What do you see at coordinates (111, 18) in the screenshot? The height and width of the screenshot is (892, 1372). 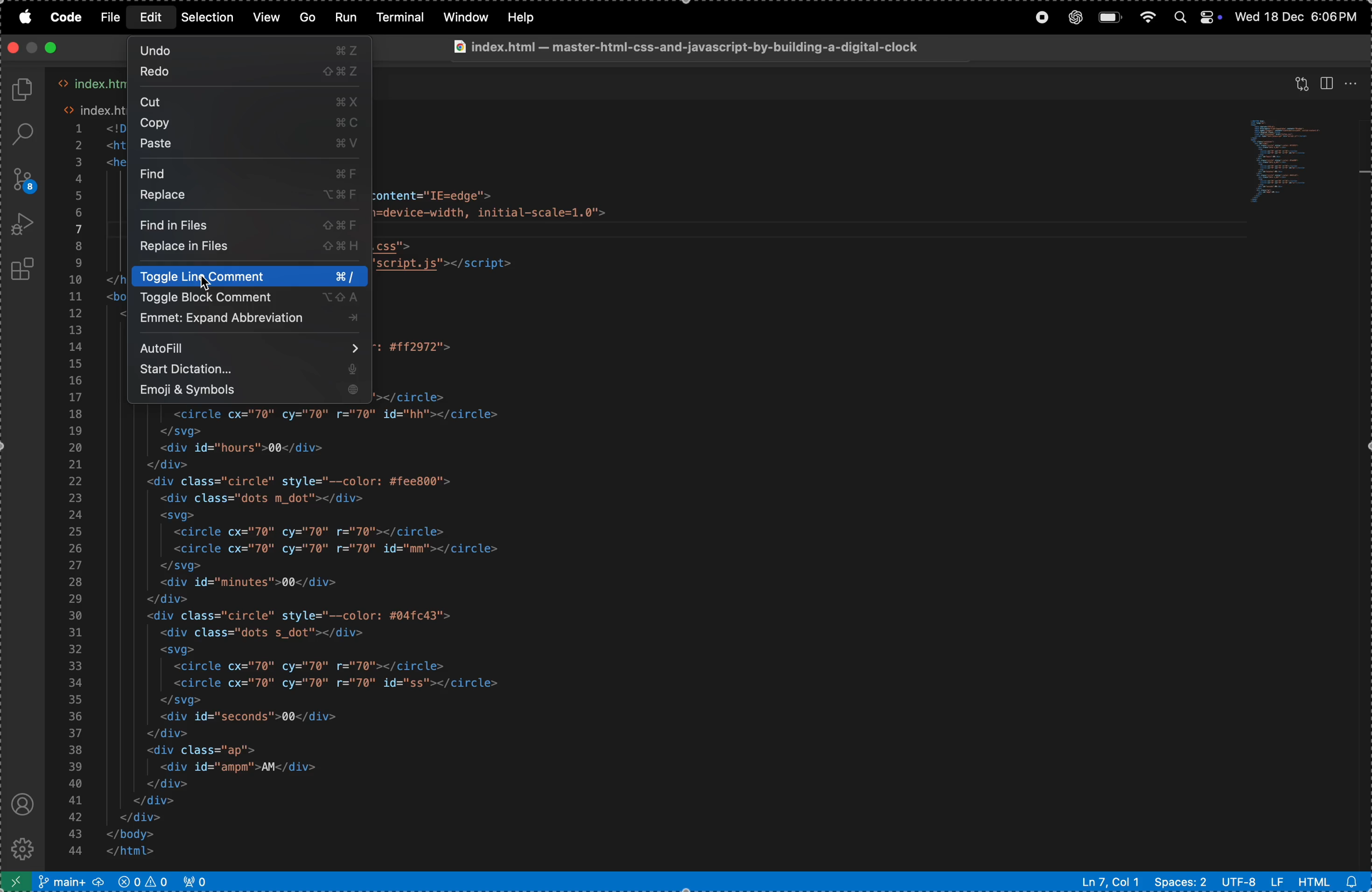 I see `file` at bounding box center [111, 18].